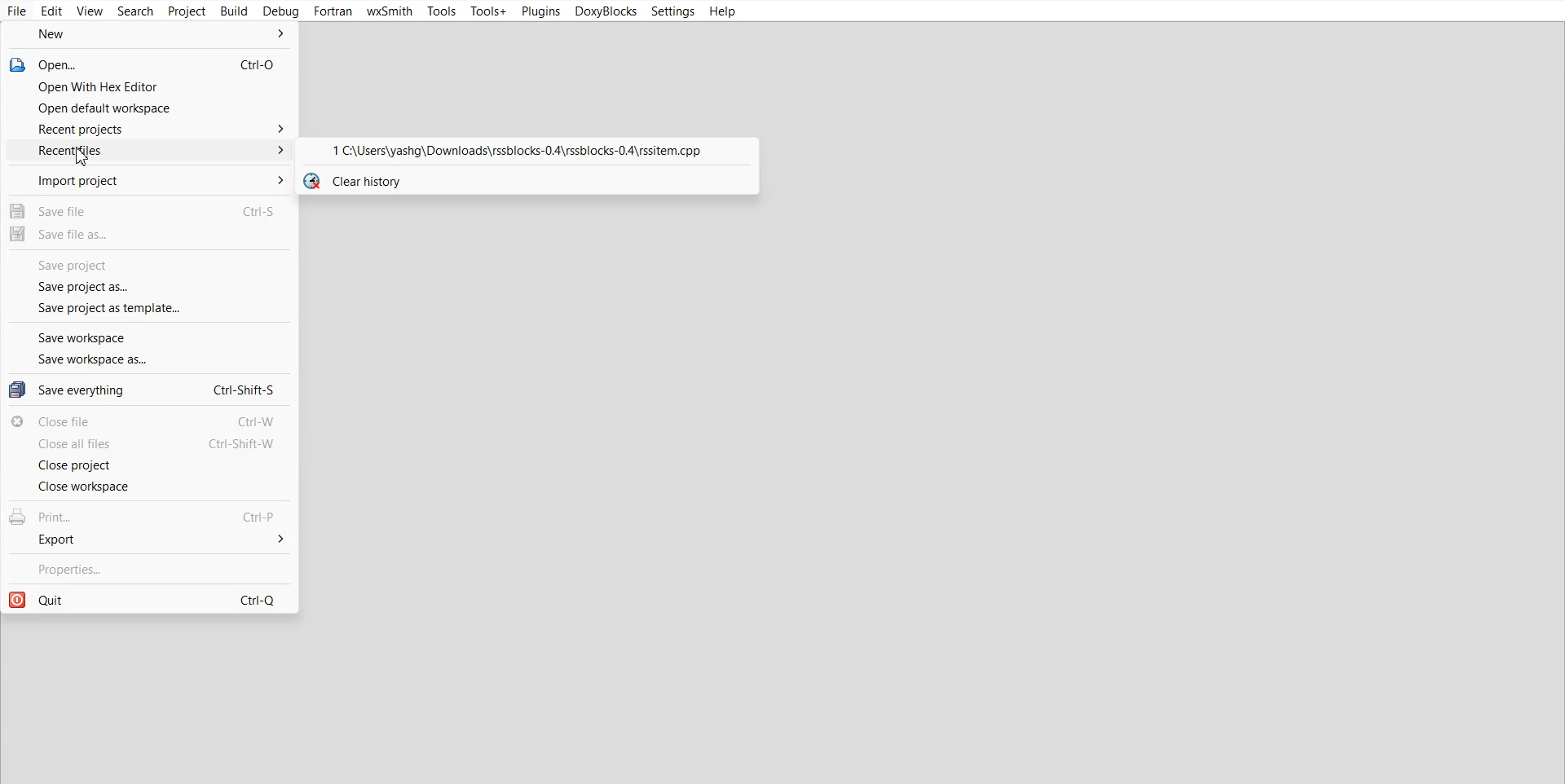 The image size is (1565, 784). I want to click on Open, so click(148, 64).